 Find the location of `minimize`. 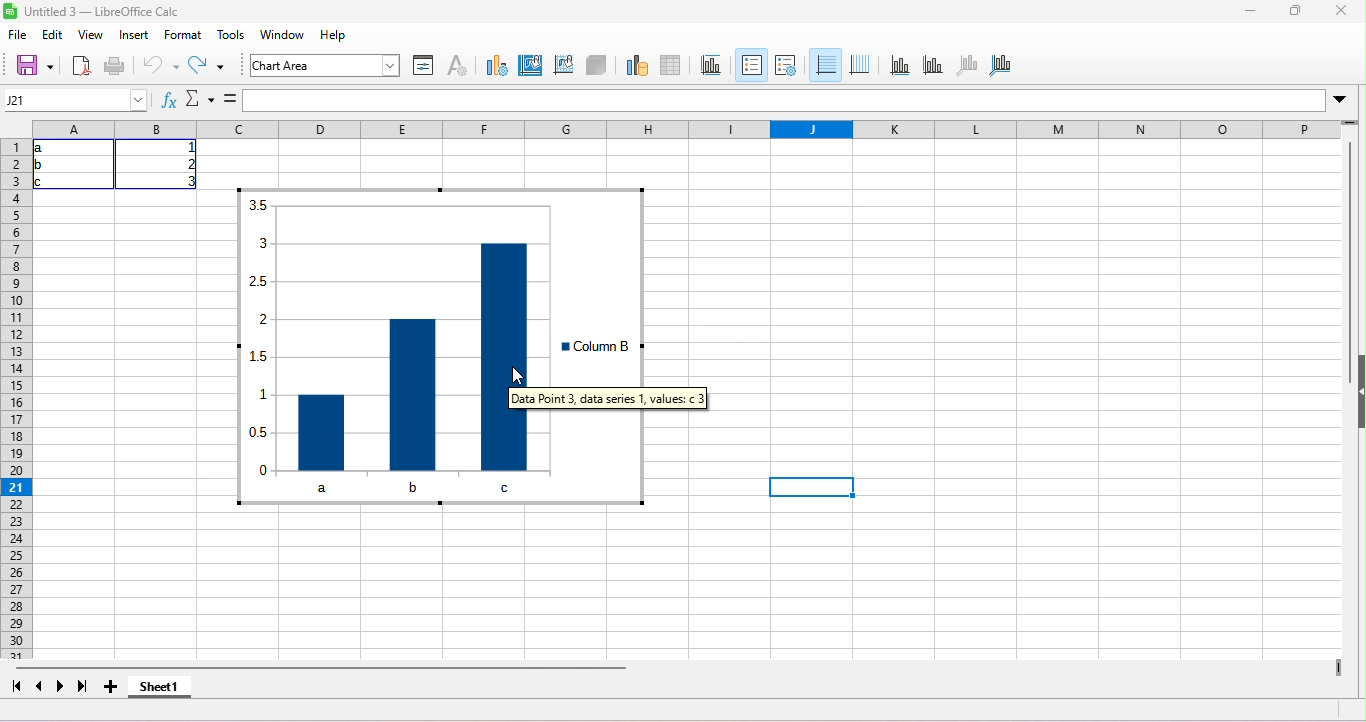

minimize is located at coordinates (1244, 12).